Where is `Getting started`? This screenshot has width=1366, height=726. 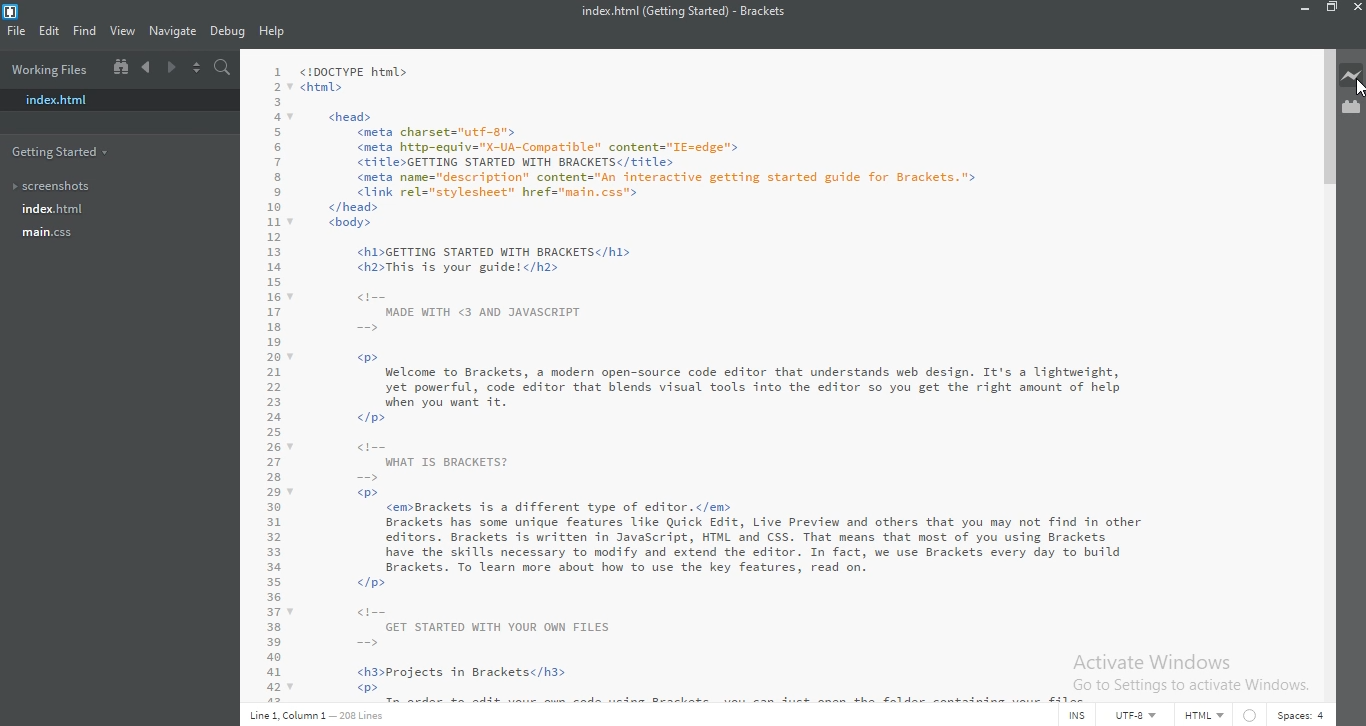 Getting started is located at coordinates (59, 152).